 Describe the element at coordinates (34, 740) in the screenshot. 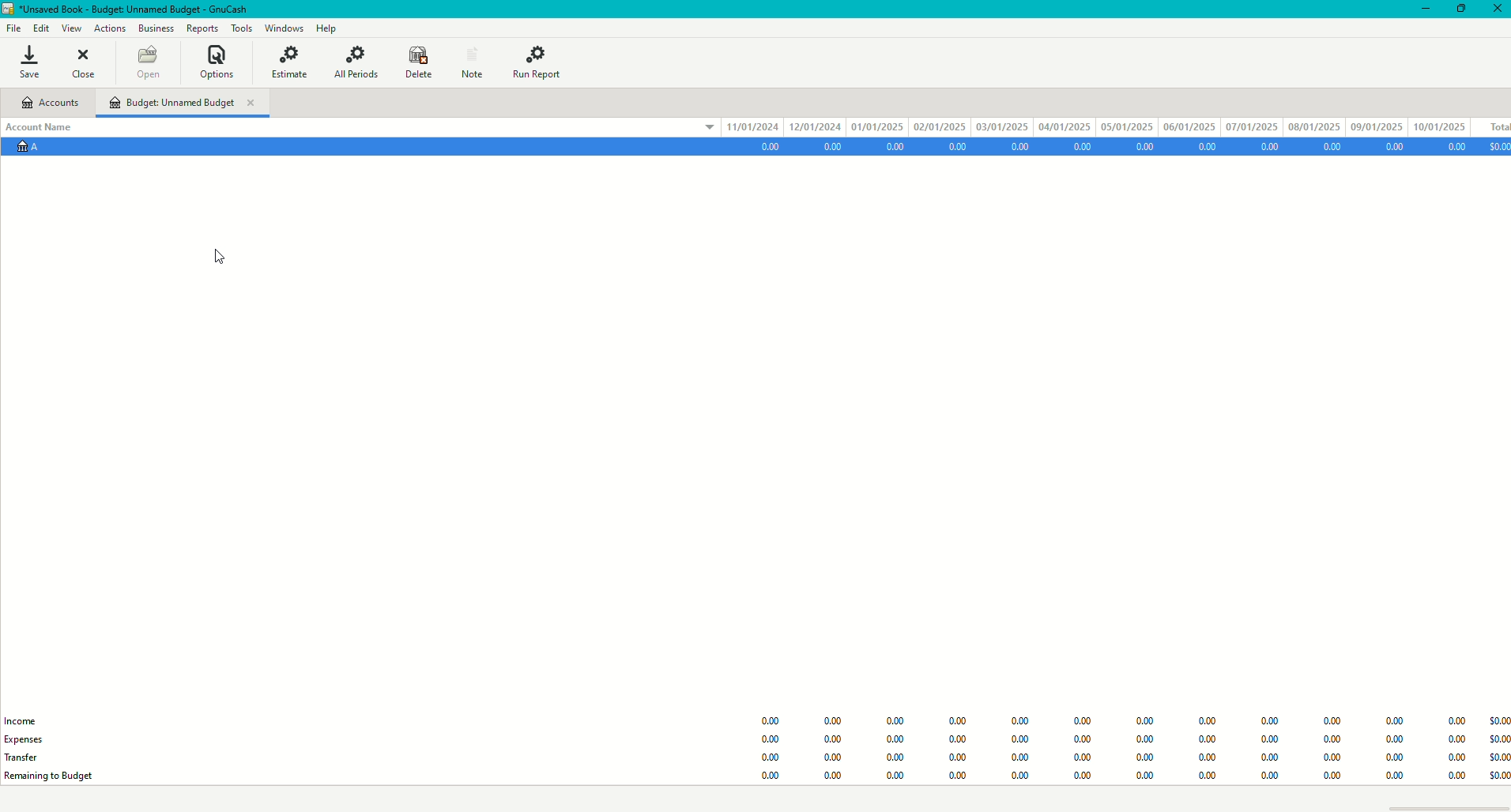

I see `Expenses` at that location.